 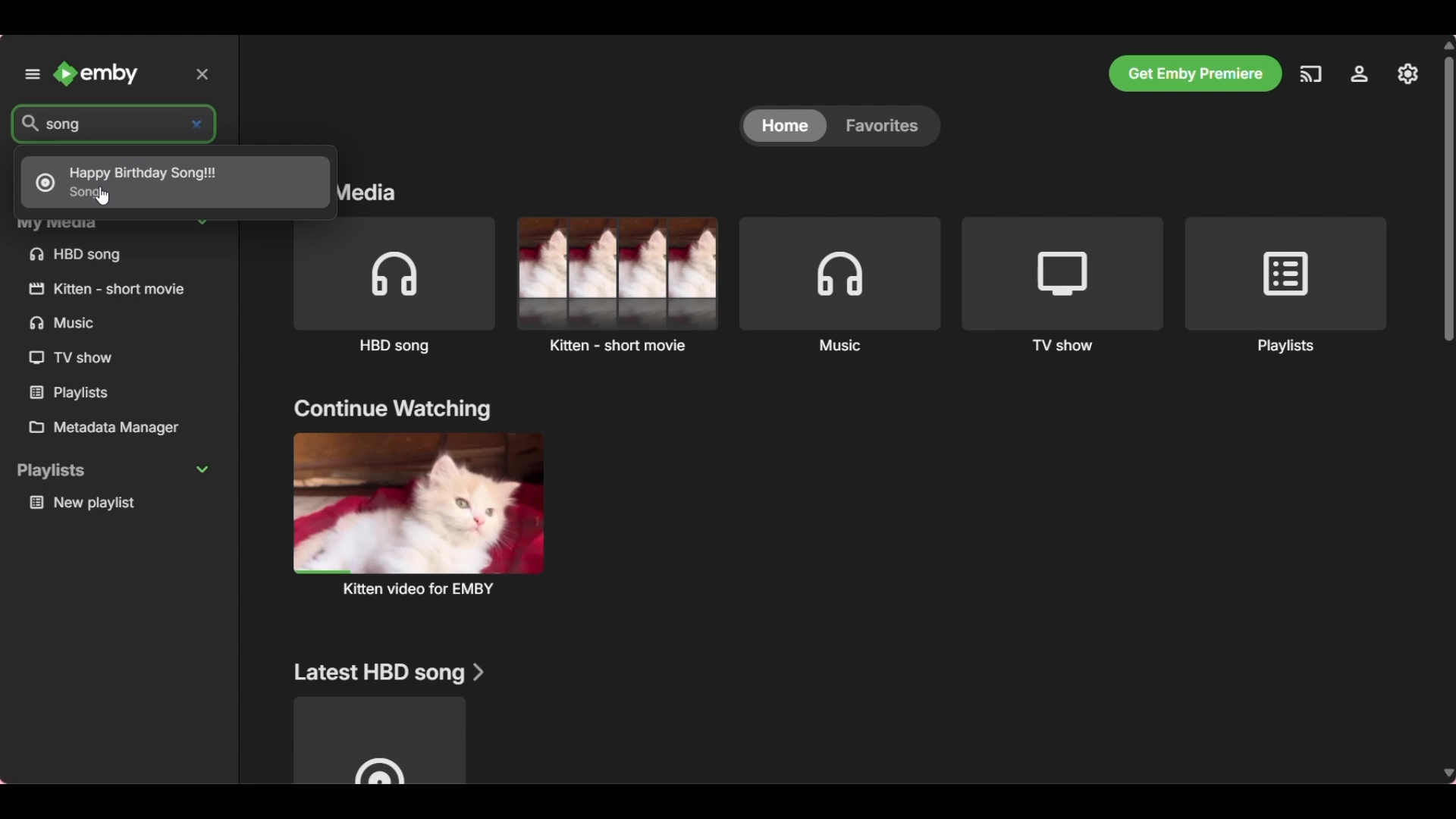 What do you see at coordinates (119, 224) in the screenshot?
I see `My media` at bounding box center [119, 224].